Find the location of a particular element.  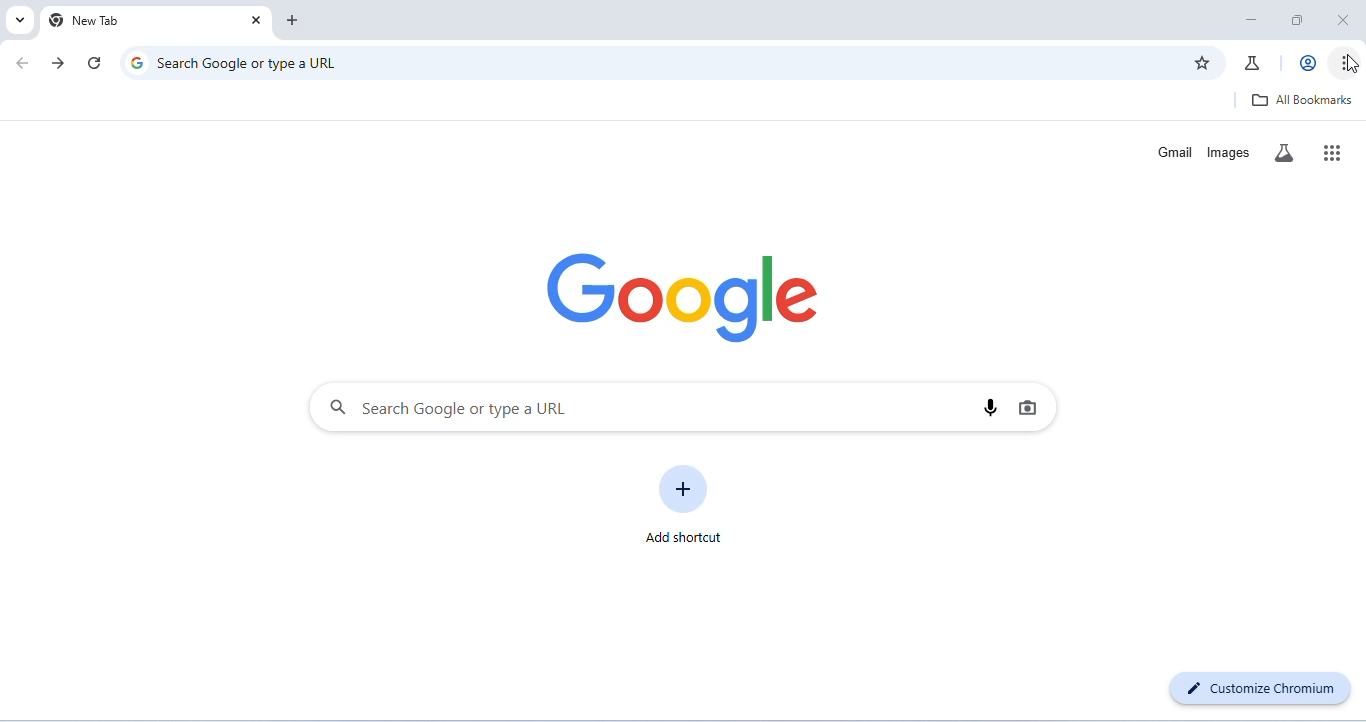

refresh is located at coordinates (94, 62).